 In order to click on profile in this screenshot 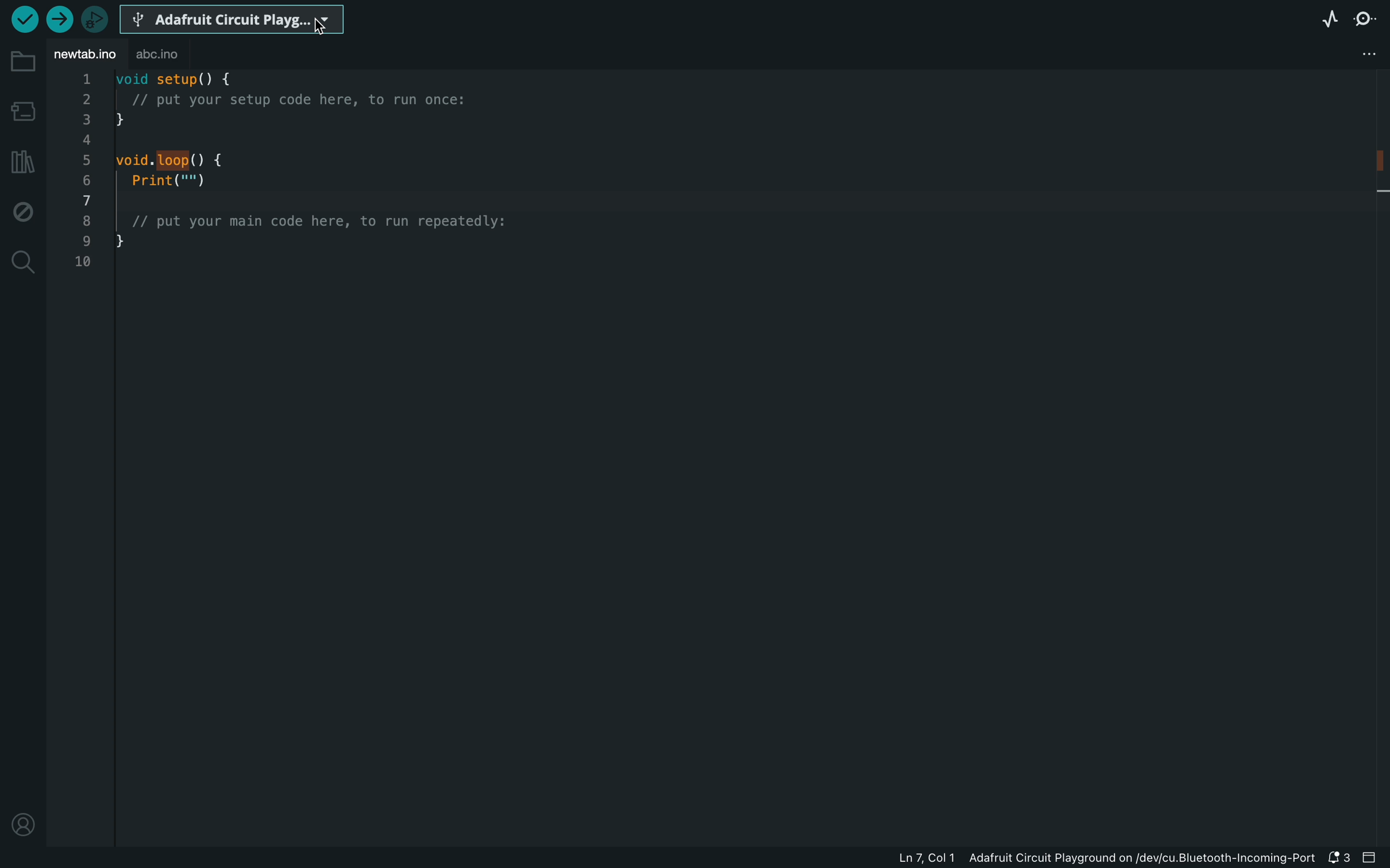, I will do `click(26, 824)`.